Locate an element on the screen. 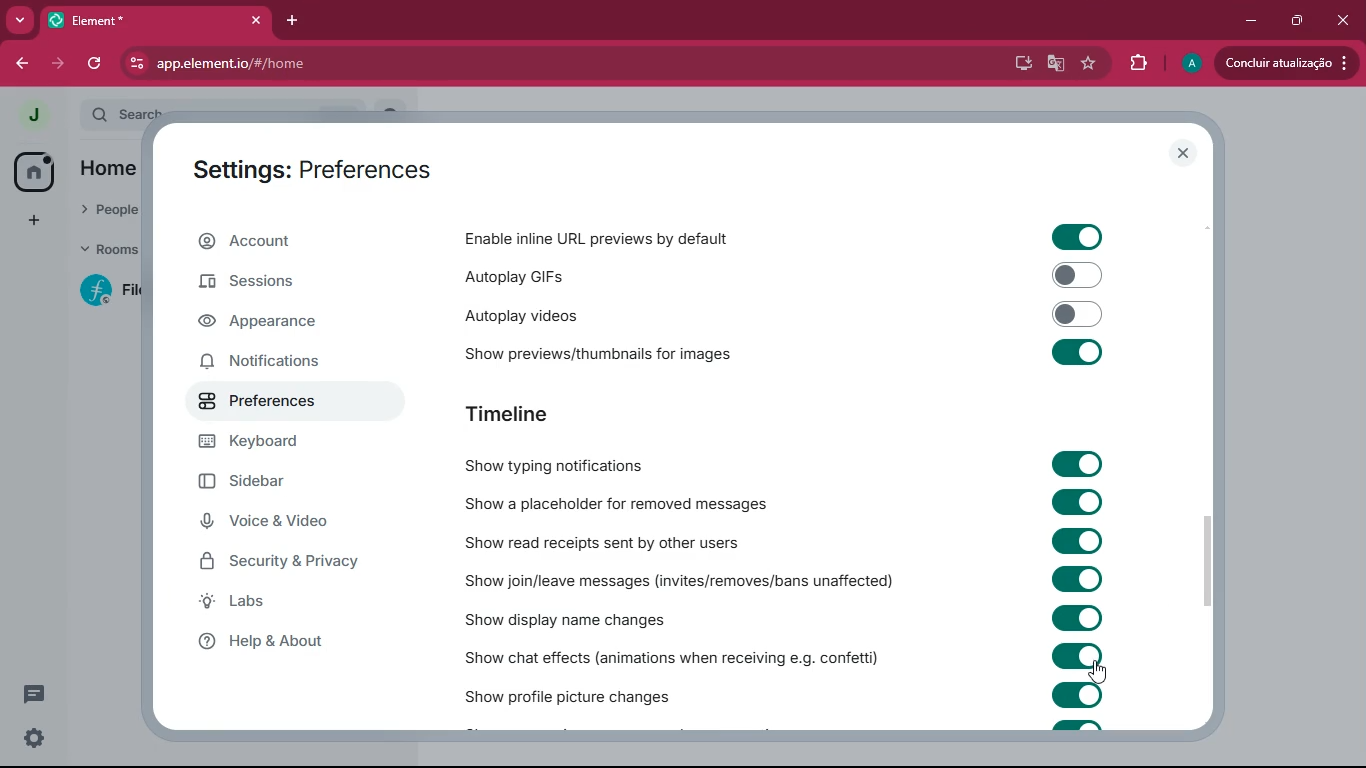 This screenshot has height=768, width=1366. appearance is located at coordinates (273, 324).